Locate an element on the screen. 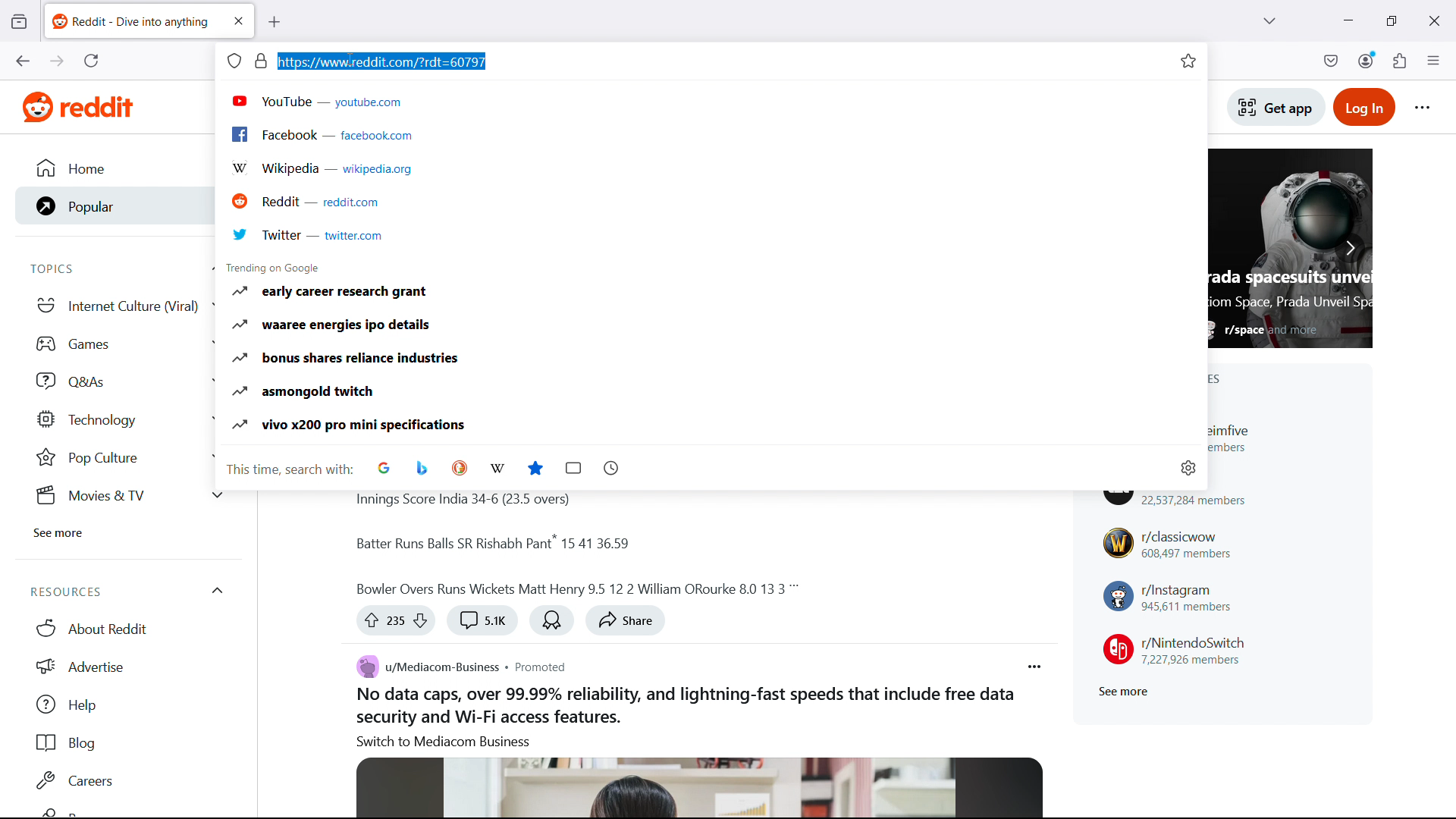 This screenshot has height=819, width=1456. Image associated with the post is located at coordinates (699, 788).